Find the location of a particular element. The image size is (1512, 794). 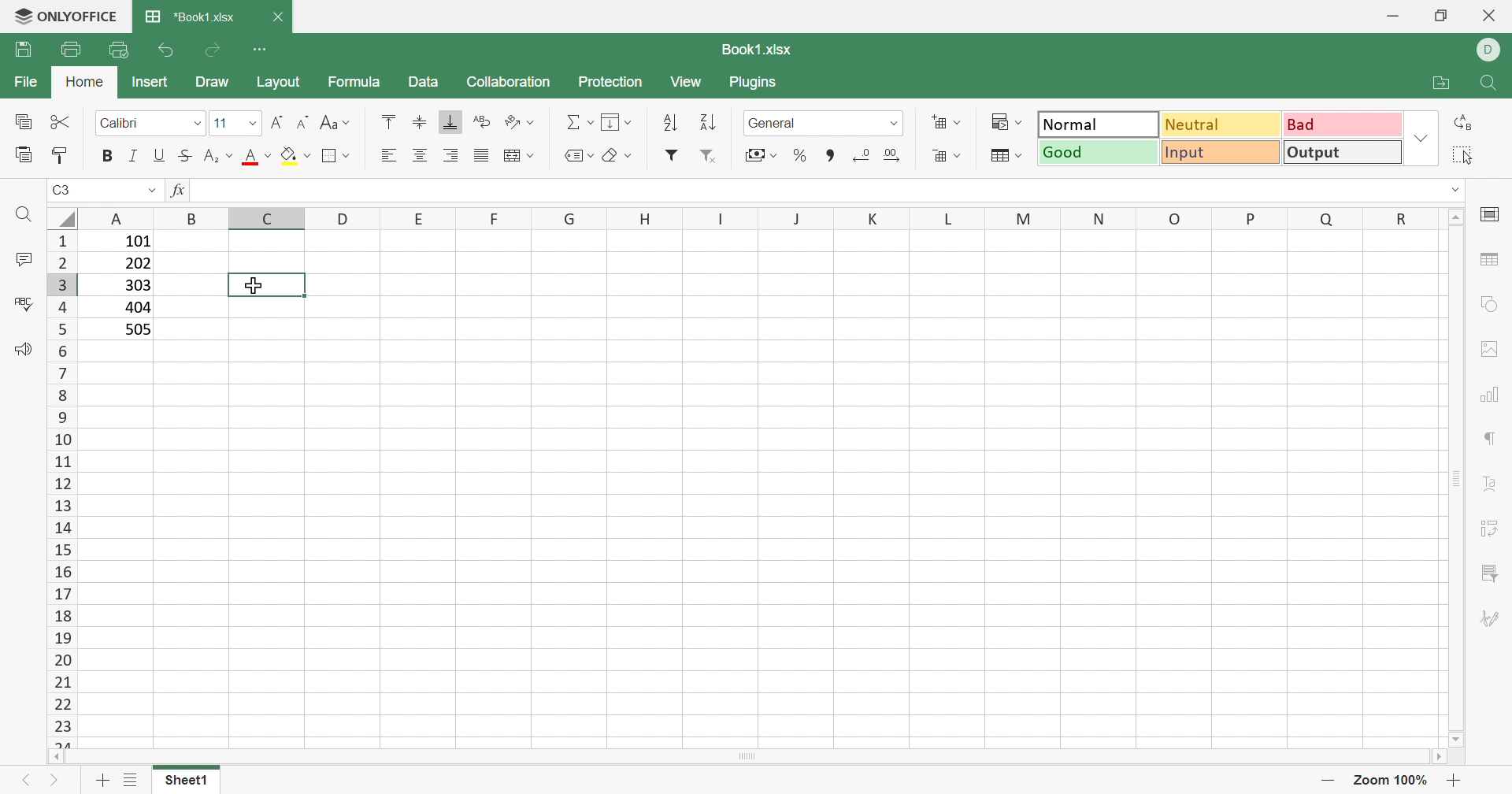

Increment font size is located at coordinates (275, 118).